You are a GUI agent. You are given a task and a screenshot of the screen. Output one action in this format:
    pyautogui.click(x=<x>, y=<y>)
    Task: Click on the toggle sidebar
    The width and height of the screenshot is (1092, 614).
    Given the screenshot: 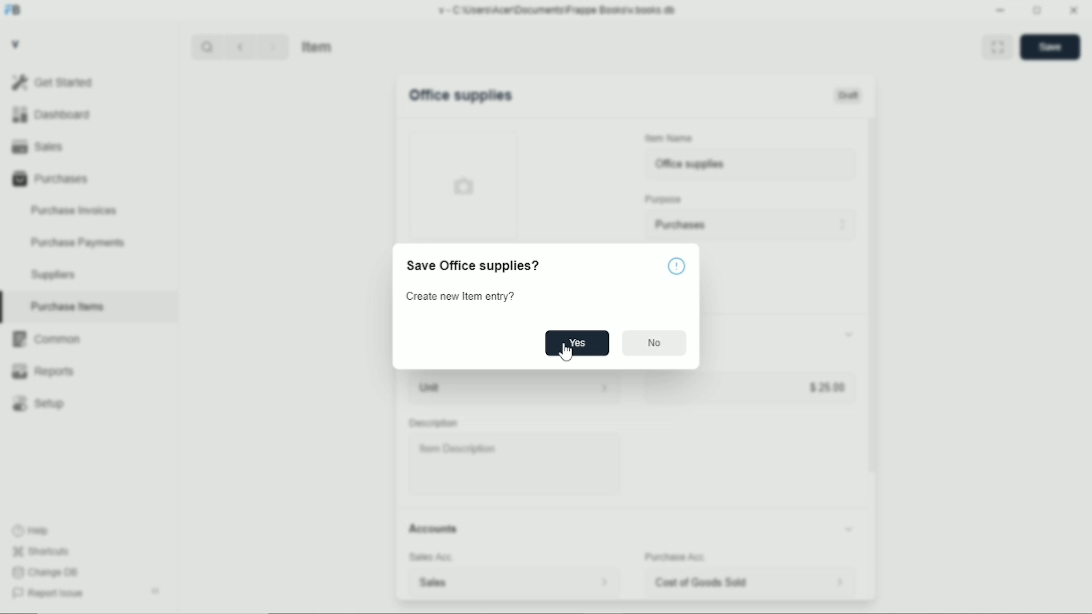 What is the action you would take?
    pyautogui.click(x=157, y=591)
    